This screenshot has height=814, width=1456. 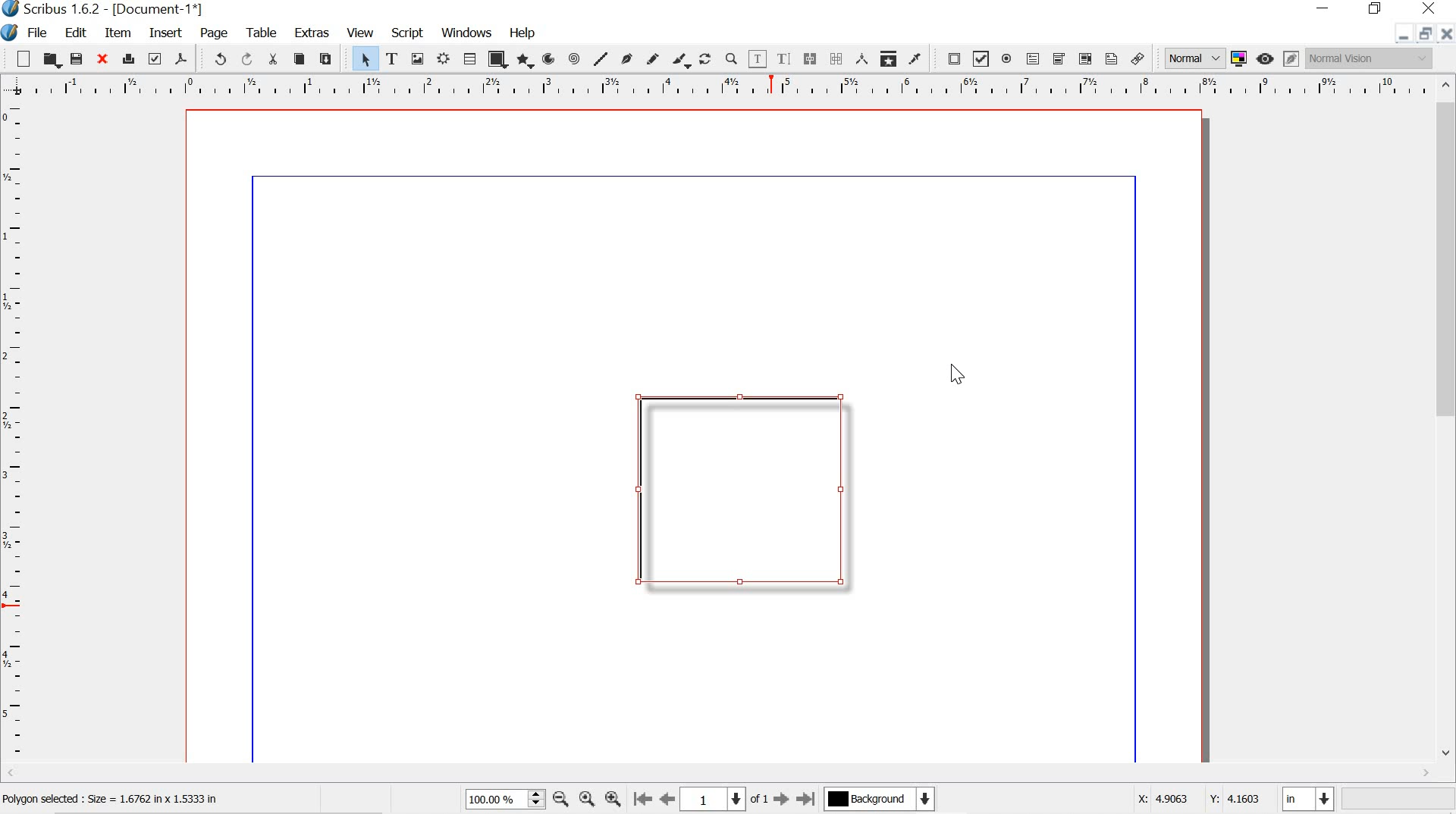 What do you see at coordinates (958, 374) in the screenshot?
I see `cursor` at bounding box center [958, 374].